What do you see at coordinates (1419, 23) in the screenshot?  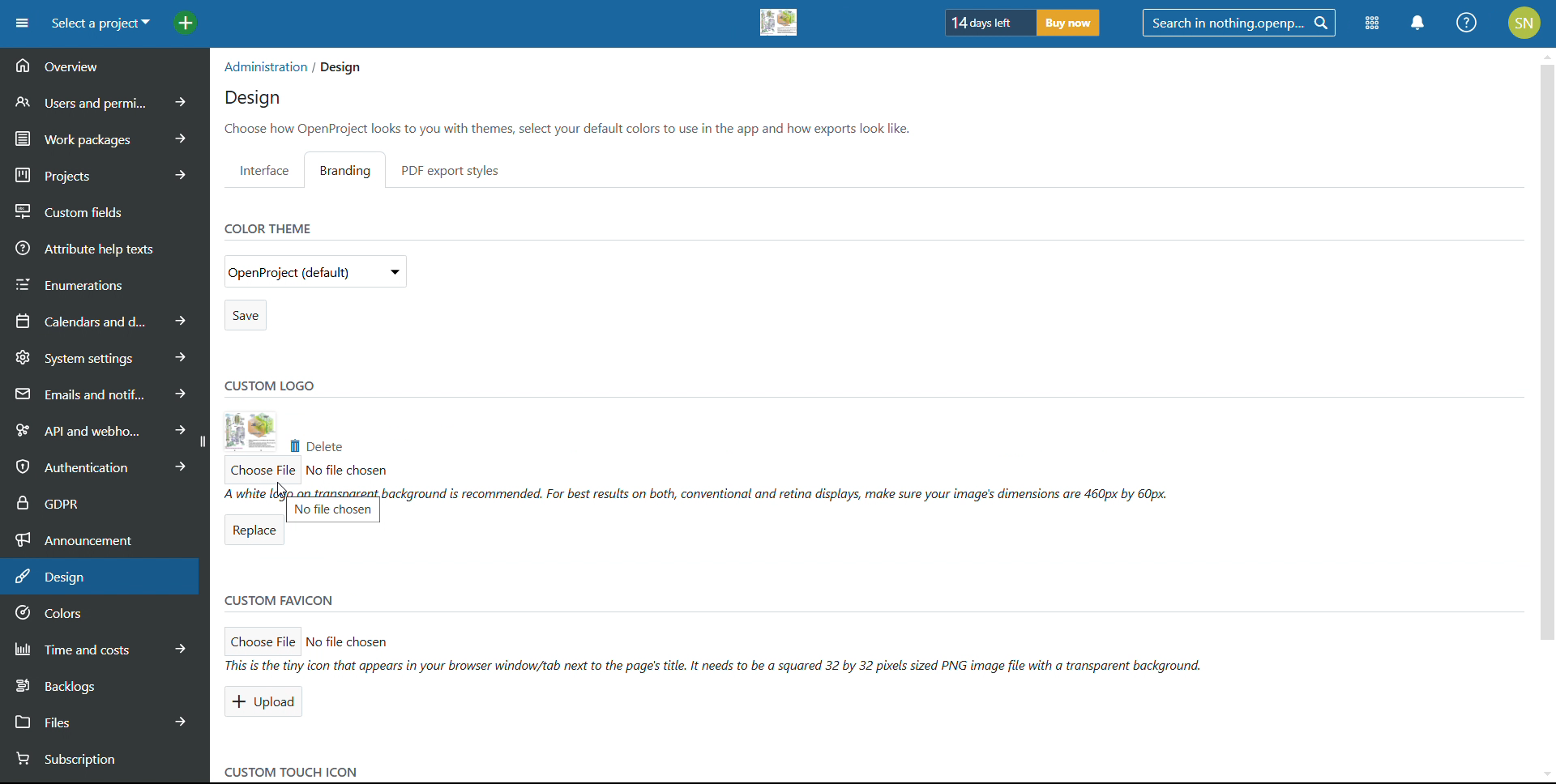 I see `notifications` at bounding box center [1419, 23].